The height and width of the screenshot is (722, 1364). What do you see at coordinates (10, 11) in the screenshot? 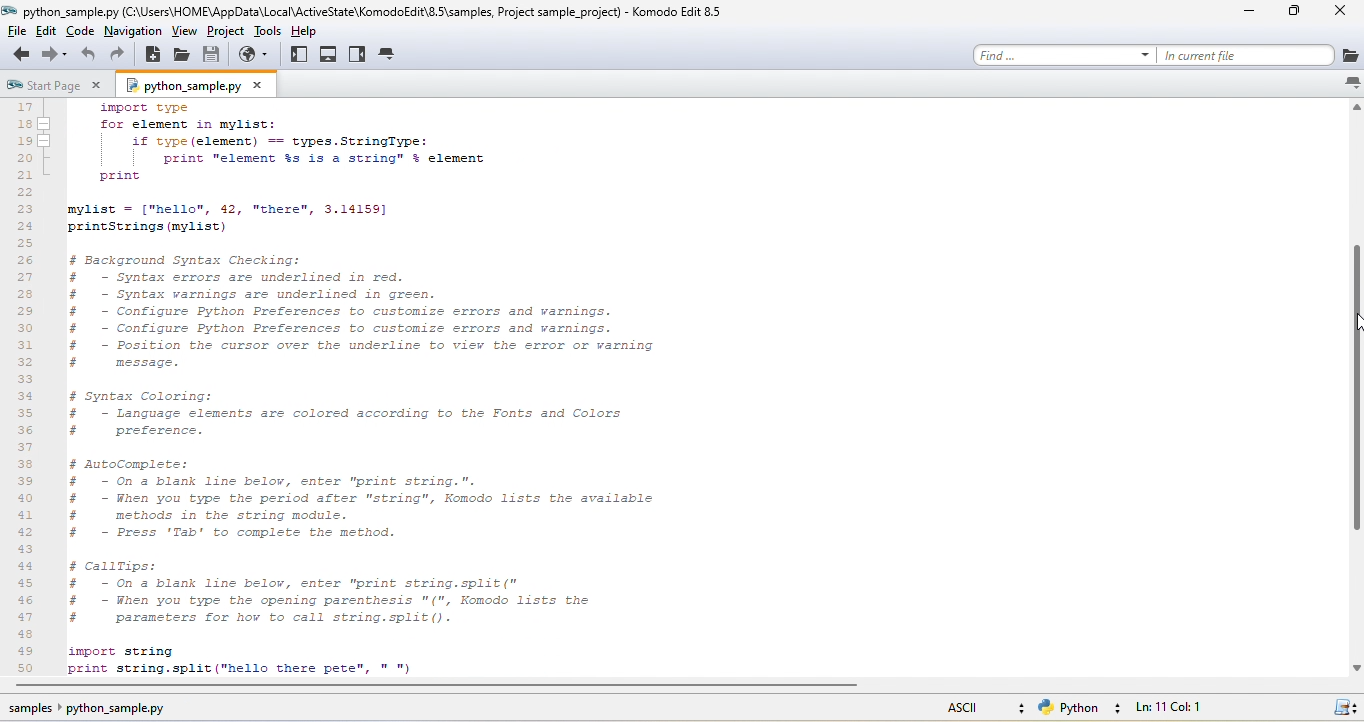
I see `app icon` at bounding box center [10, 11].